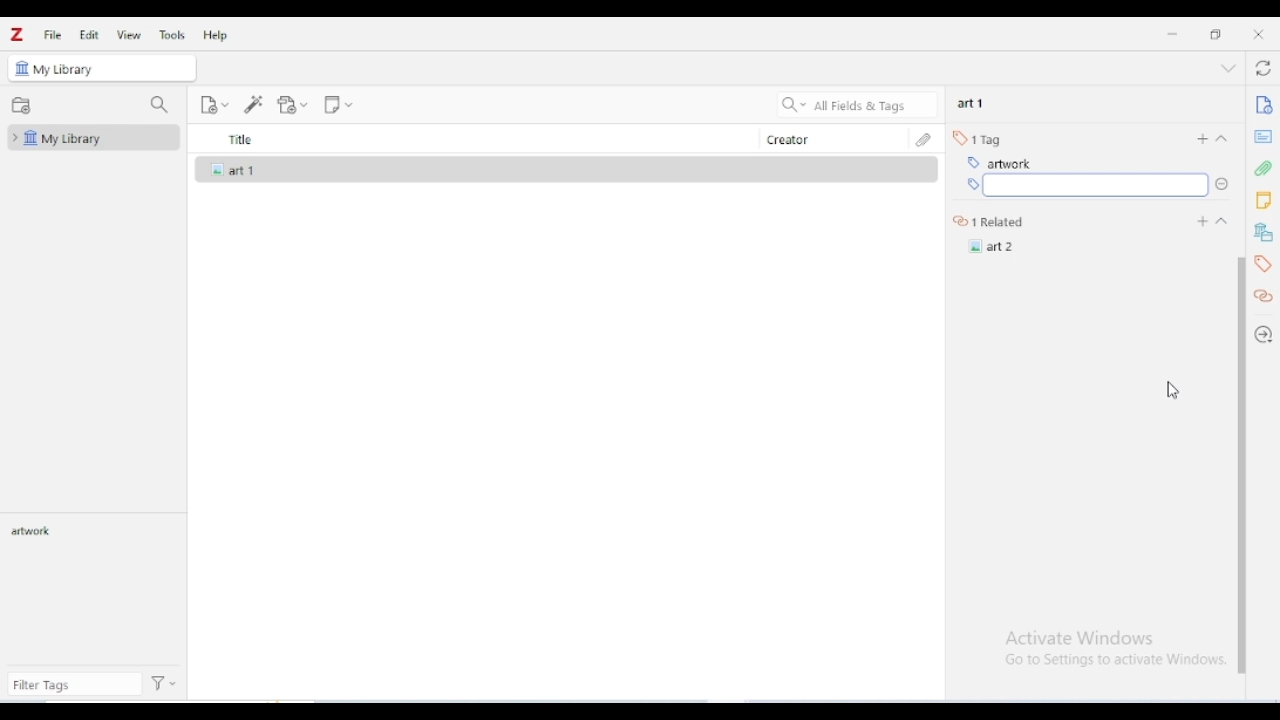 Image resolution: width=1280 pixels, height=720 pixels. What do you see at coordinates (1223, 219) in the screenshot?
I see `Drop down` at bounding box center [1223, 219].